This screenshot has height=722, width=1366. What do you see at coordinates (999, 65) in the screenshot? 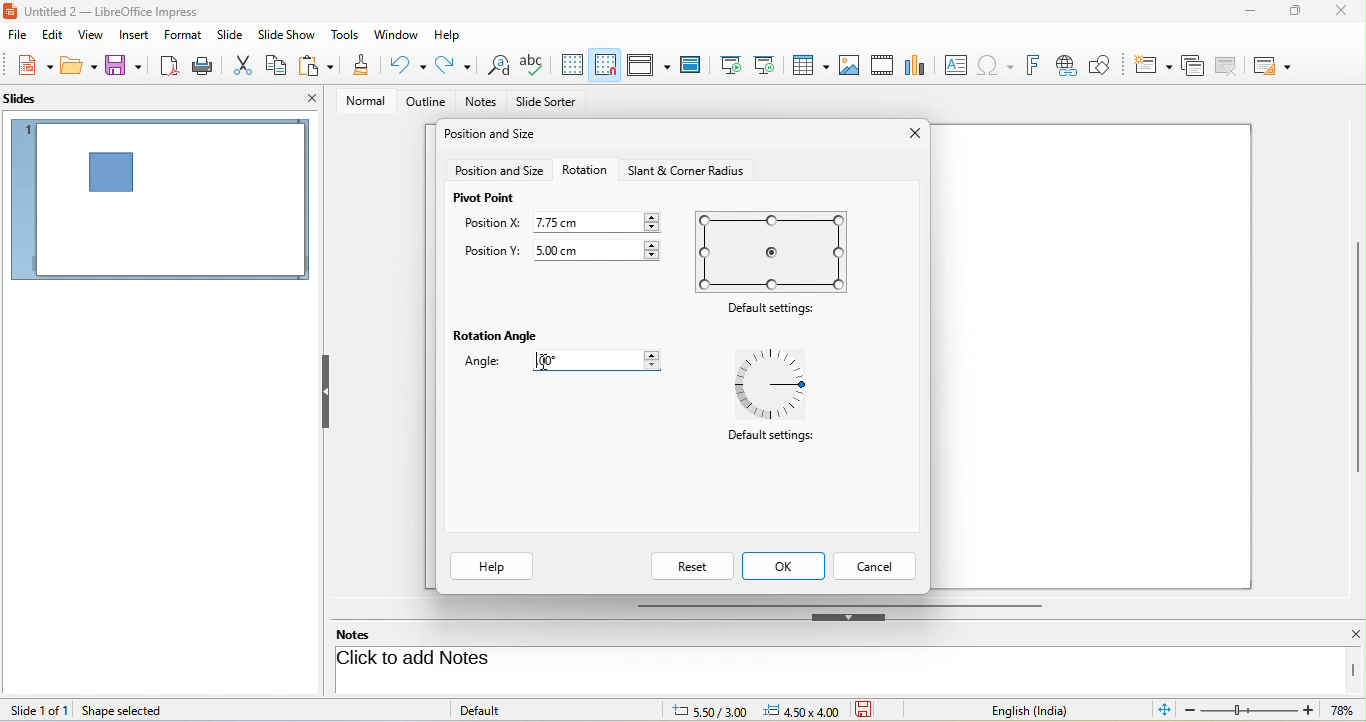
I see `special character` at bounding box center [999, 65].